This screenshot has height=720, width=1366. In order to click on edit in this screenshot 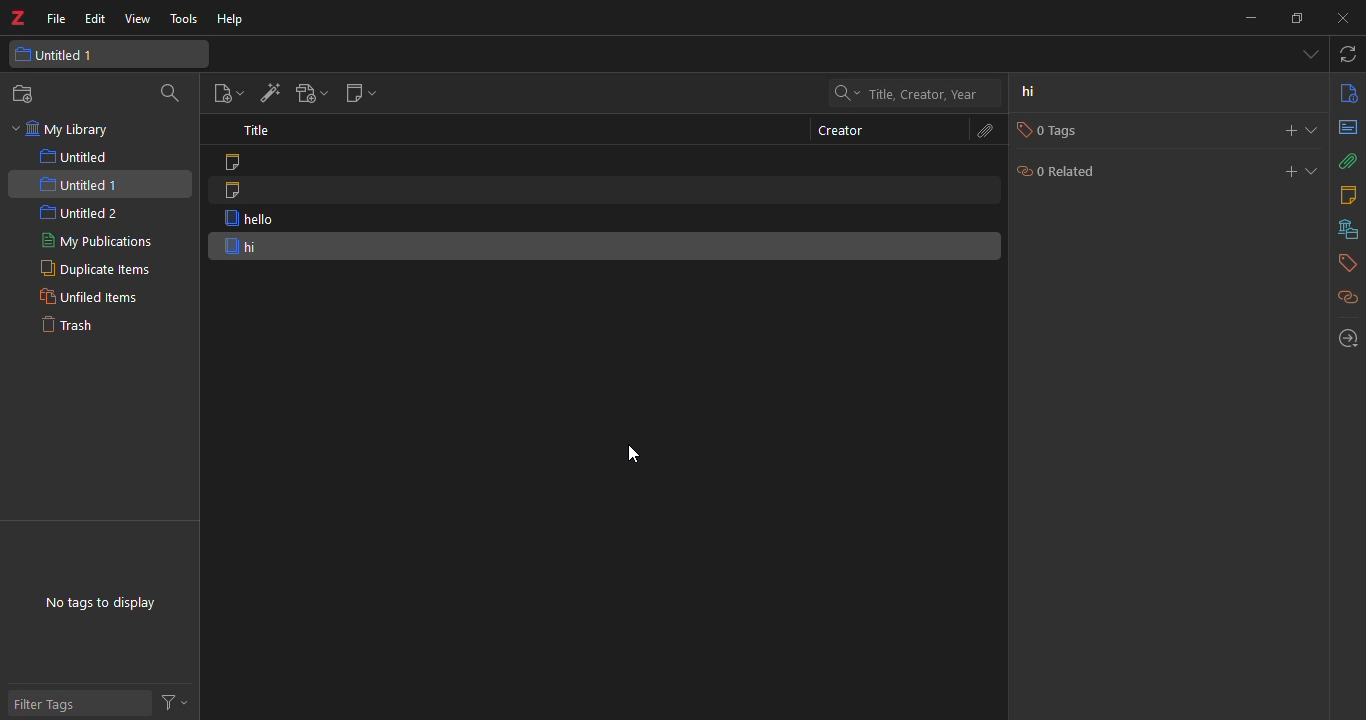, I will do `click(94, 19)`.